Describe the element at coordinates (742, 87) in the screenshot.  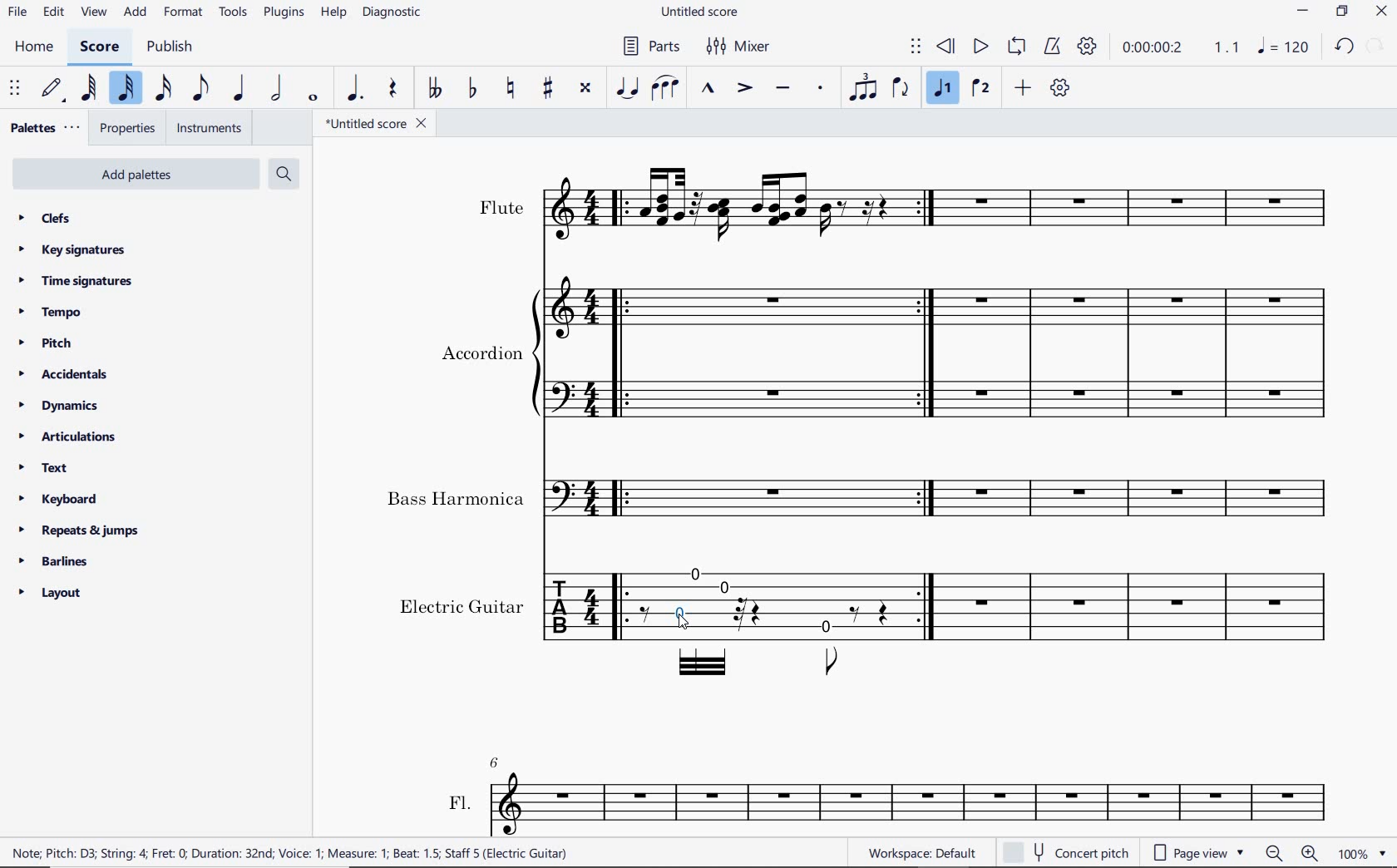
I see `accent` at that location.